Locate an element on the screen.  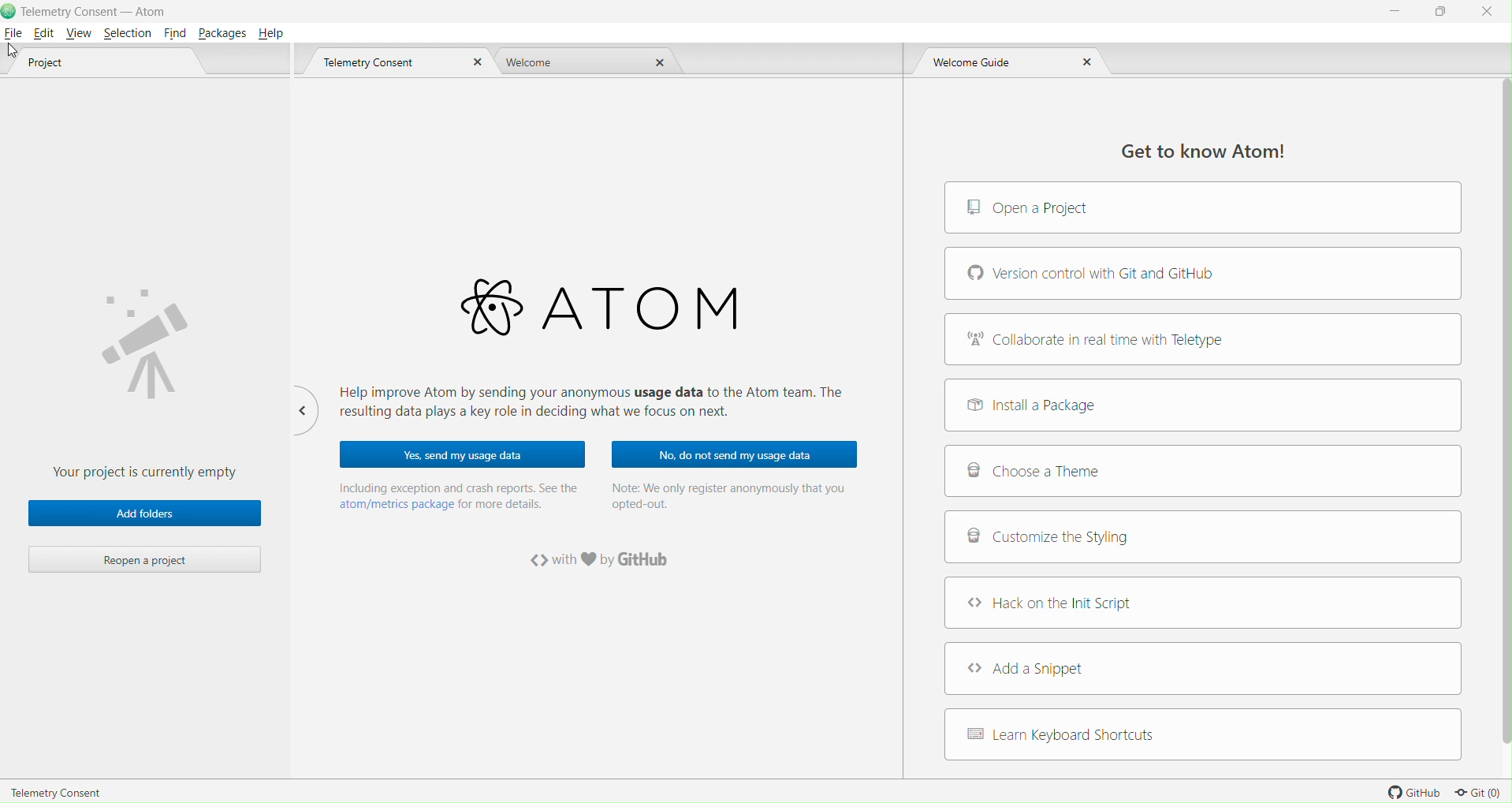
Hack on the Init Script is located at coordinates (1204, 603).